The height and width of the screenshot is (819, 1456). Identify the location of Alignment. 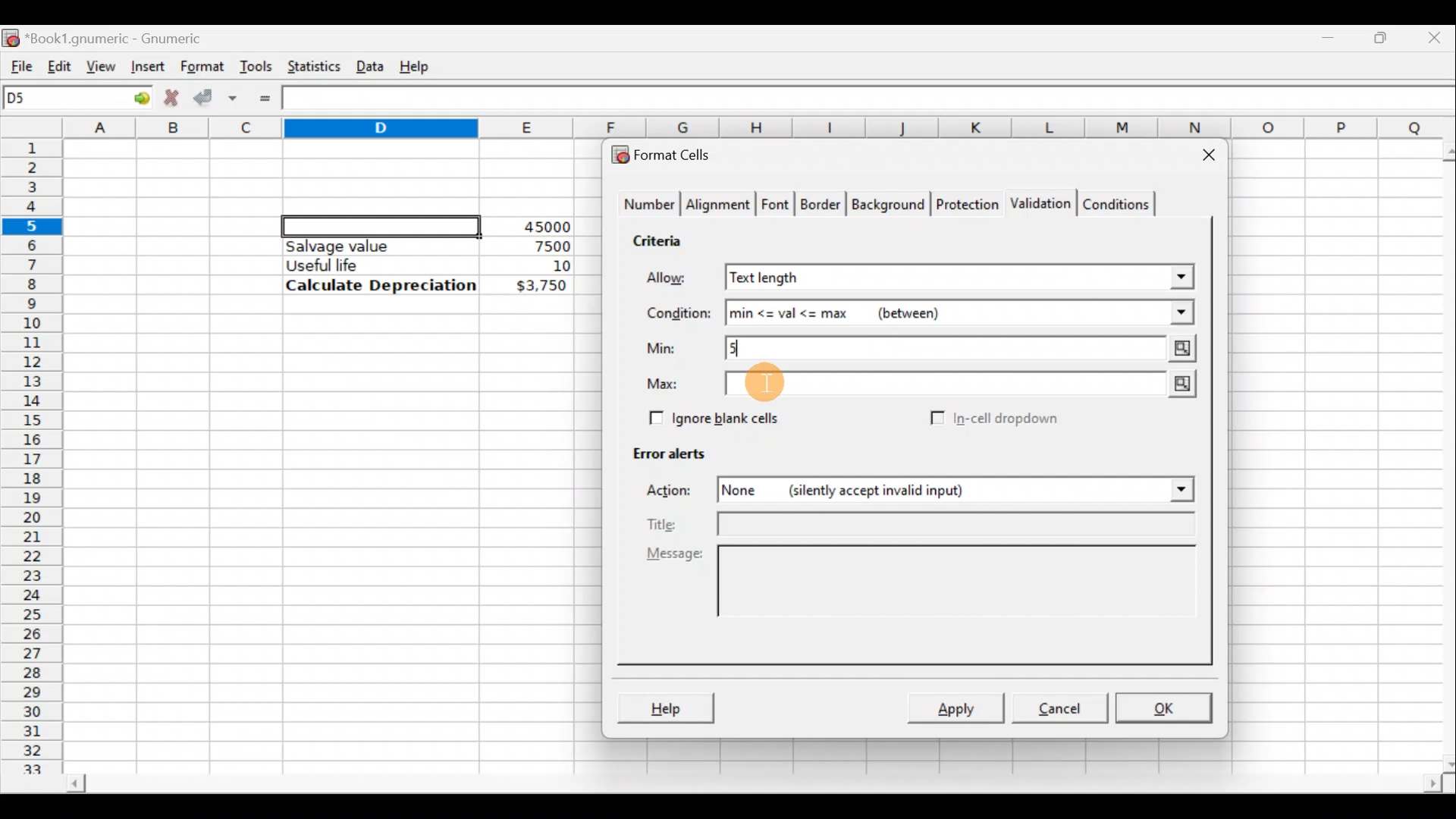
(719, 206).